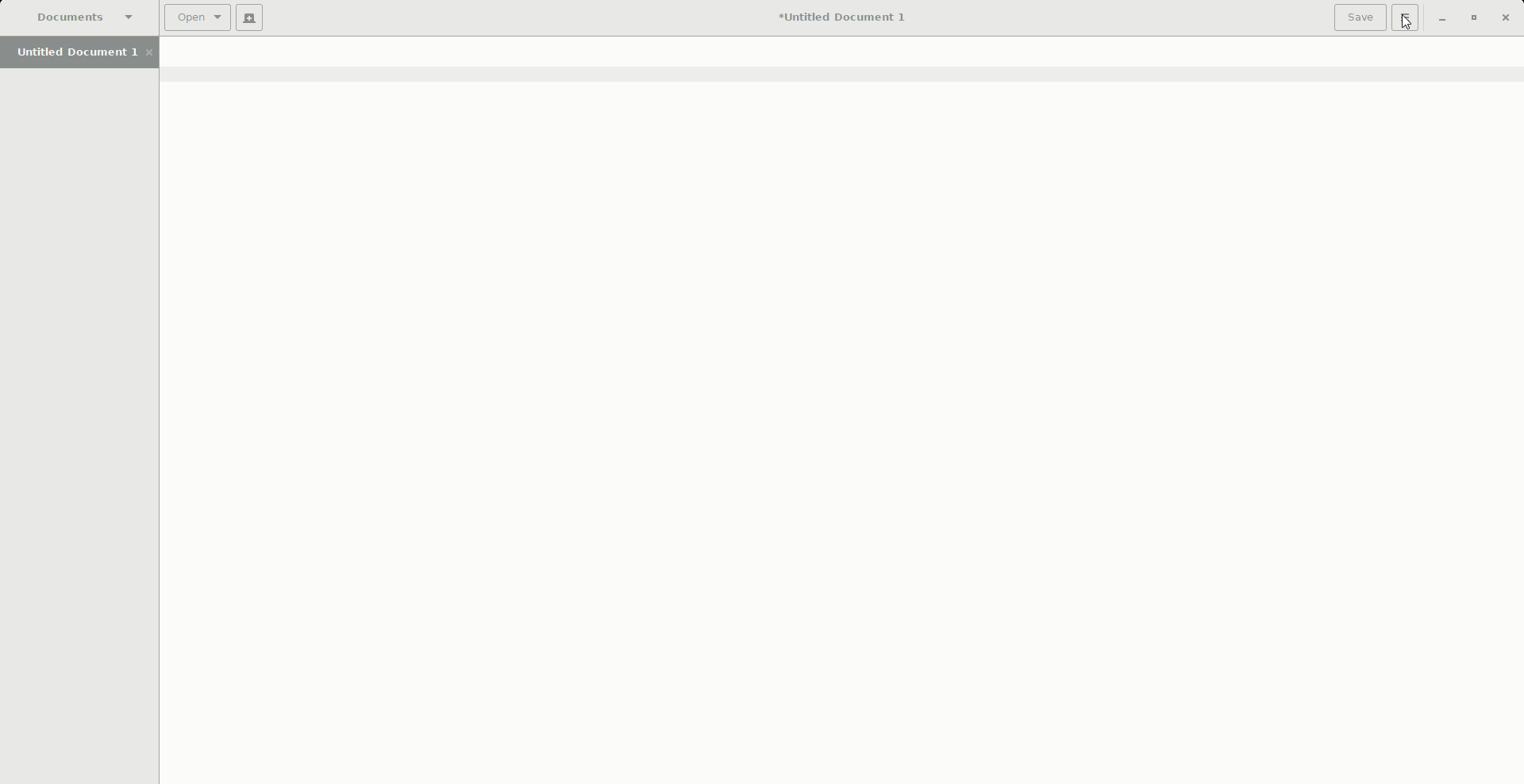 This screenshot has height=784, width=1524. What do you see at coordinates (87, 18) in the screenshot?
I see `Documents` at bounding box center [87, 18].